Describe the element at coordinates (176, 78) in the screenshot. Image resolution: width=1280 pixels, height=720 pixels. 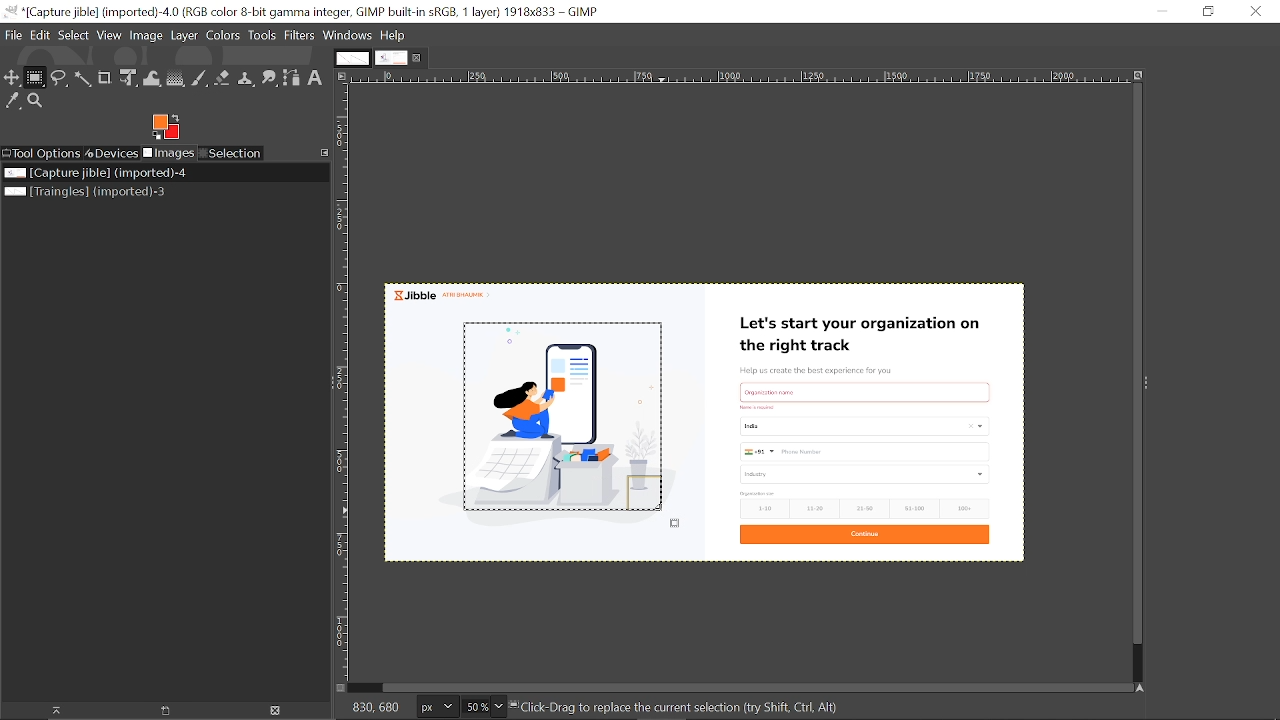
I see `Gradient tool` at that location.